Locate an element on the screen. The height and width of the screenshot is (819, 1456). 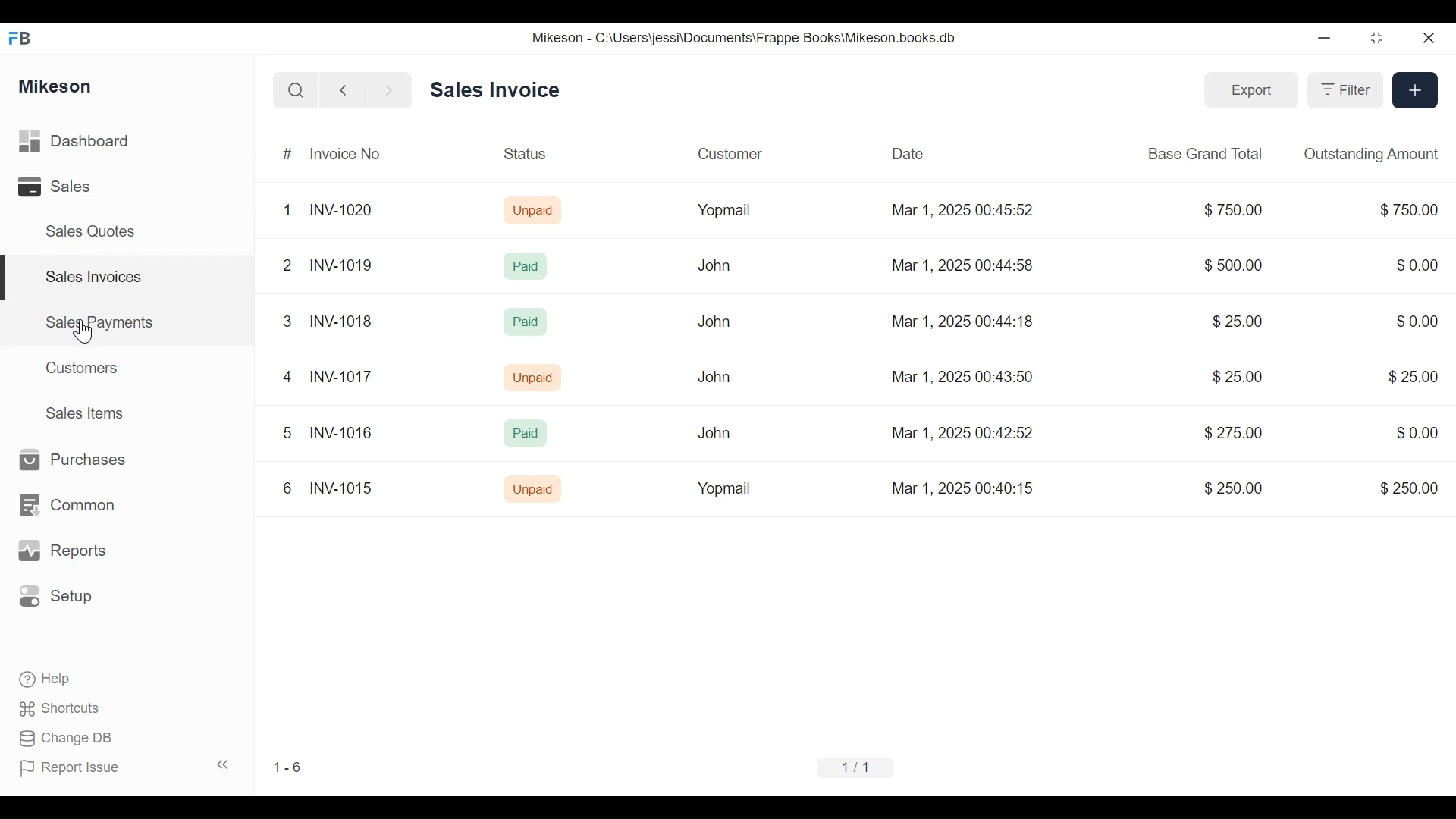
Unpaid is located at coordinates (536, 380).